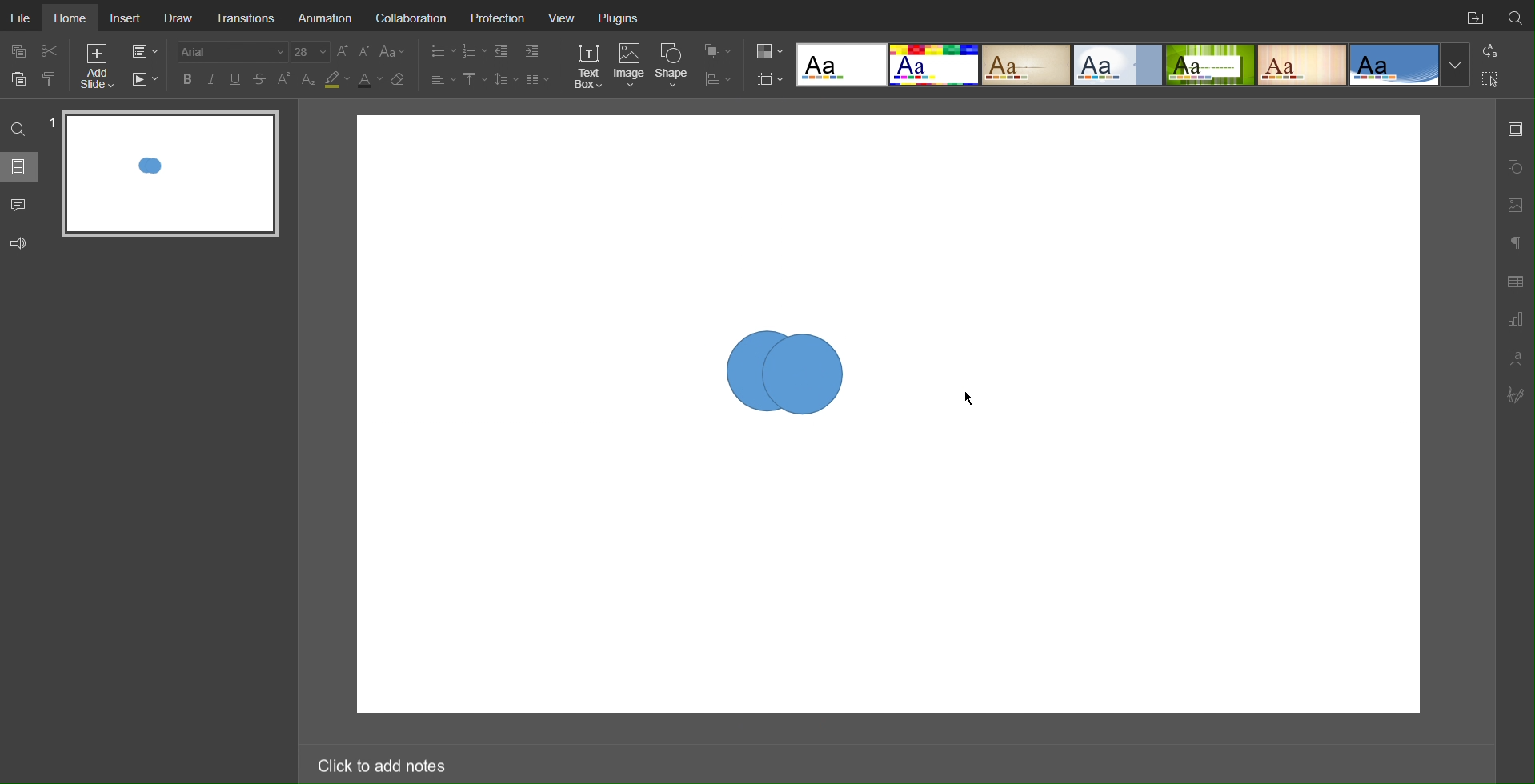 Image resolution: width=1535 pixels, height=784 pixels. I want to click on Vertical Alignment, so click(475, 79).